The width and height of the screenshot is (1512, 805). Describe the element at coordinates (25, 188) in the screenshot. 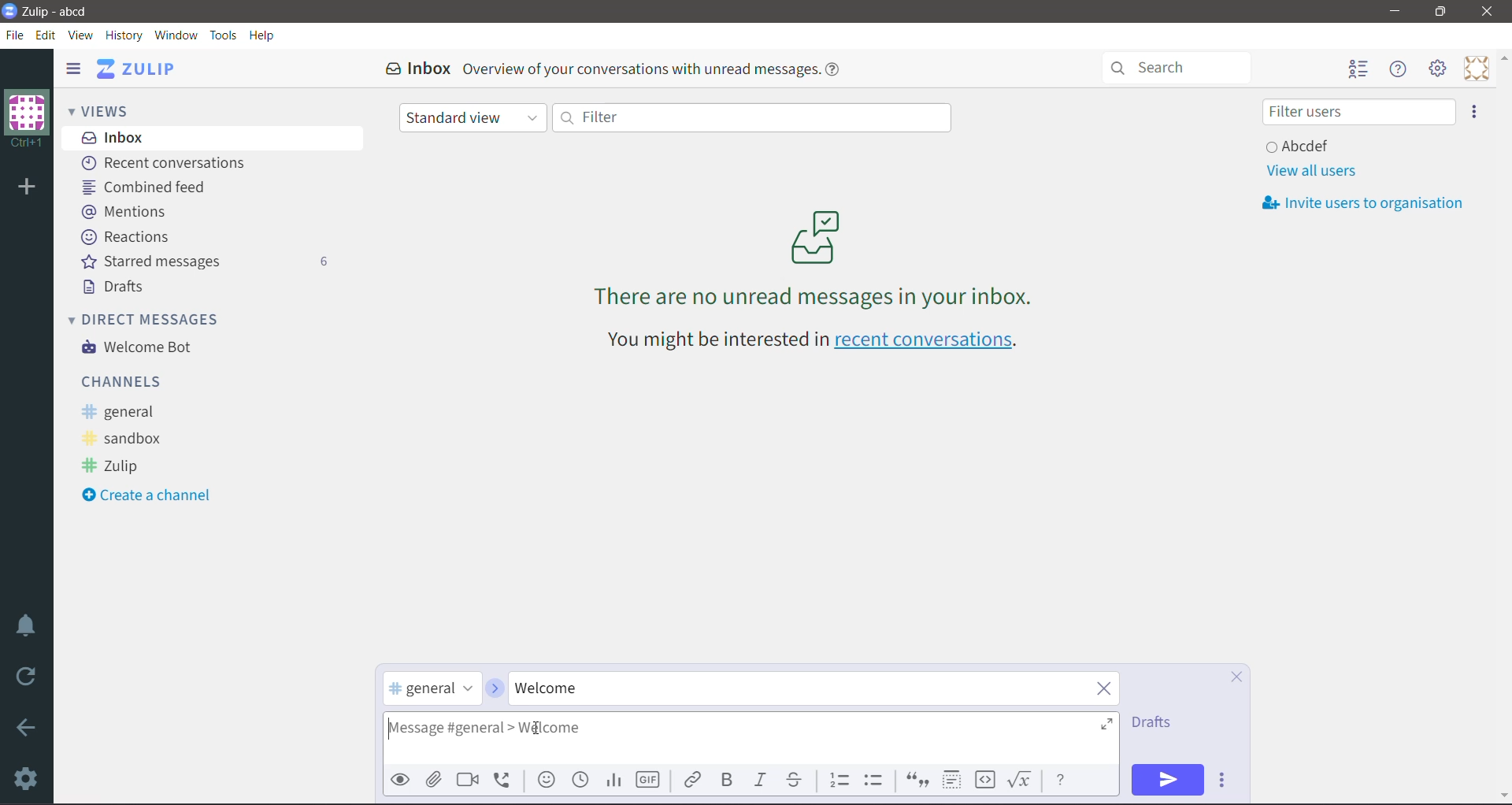

I see `Add organization` at that location.